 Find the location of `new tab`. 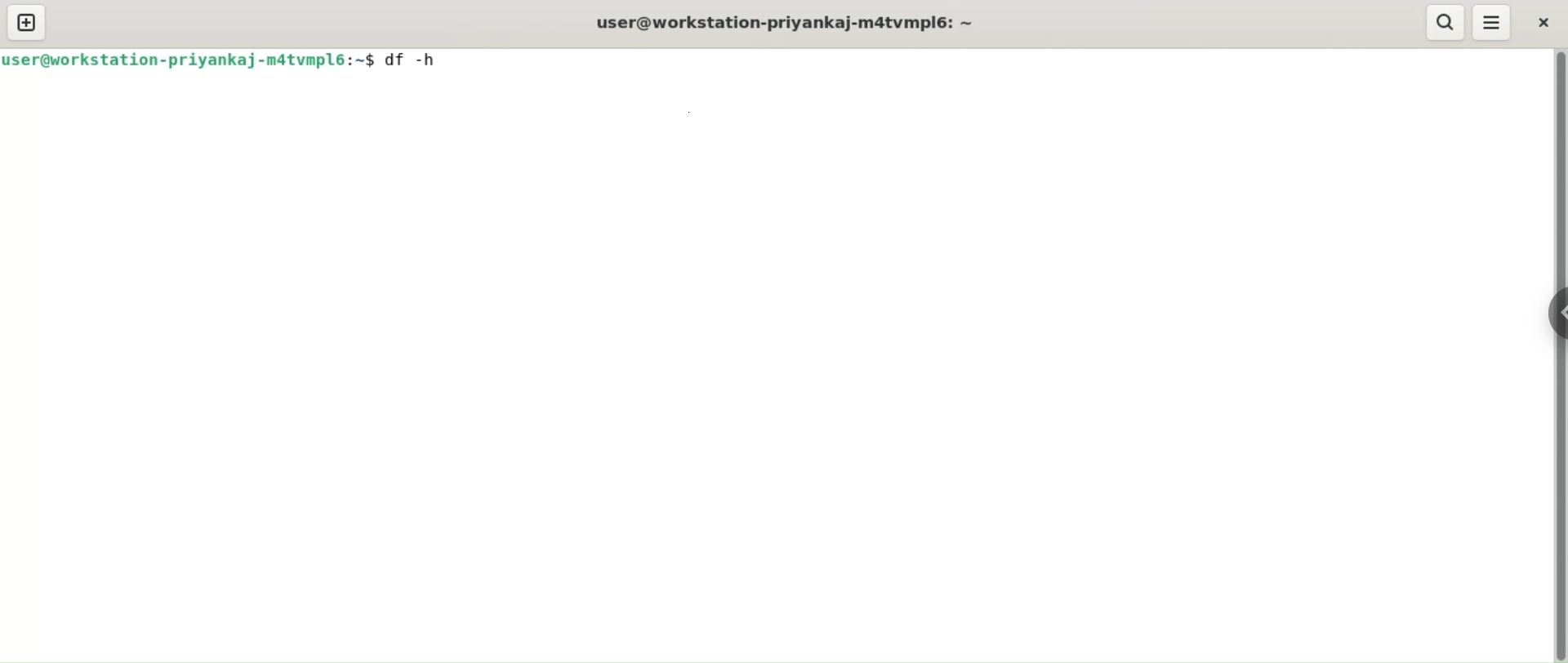

new tab is located at coordinates (27, 23).